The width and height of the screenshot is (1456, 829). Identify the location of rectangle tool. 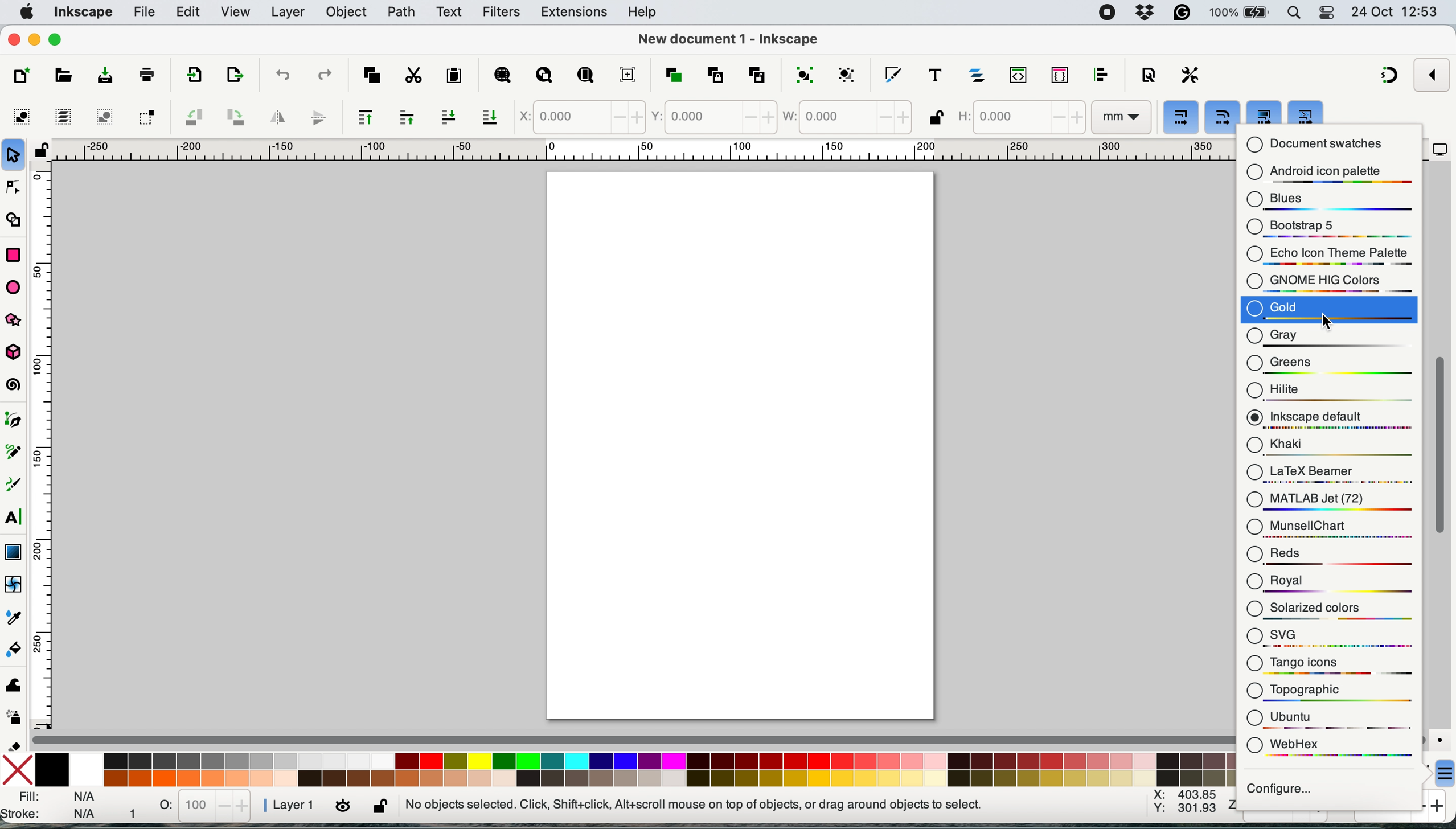
(14, 255).